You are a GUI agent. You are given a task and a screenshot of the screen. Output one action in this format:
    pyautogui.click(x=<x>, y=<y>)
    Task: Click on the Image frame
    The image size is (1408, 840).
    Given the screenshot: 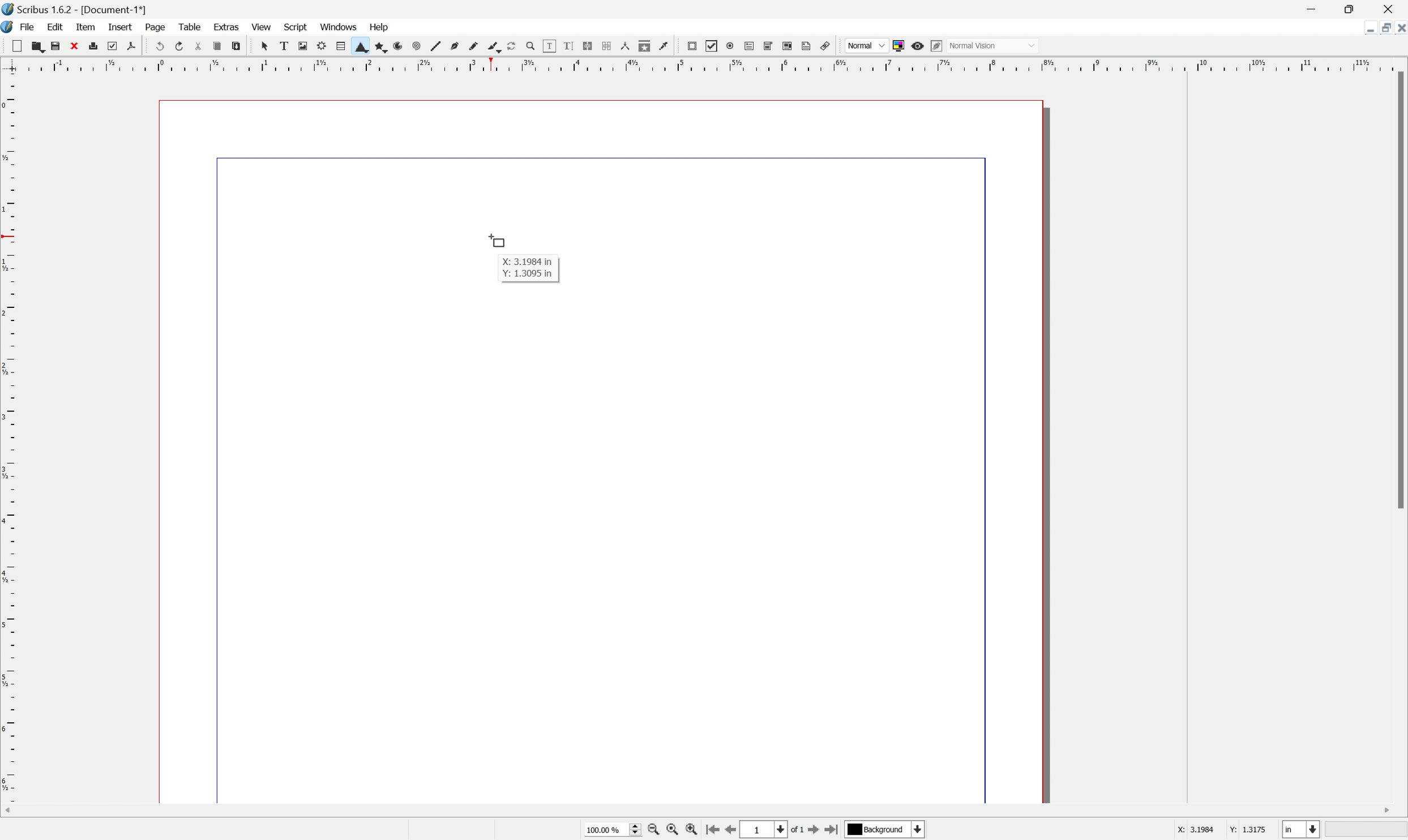 What is the action you would take?
    pyautogui.click(x=303, y=45)
    